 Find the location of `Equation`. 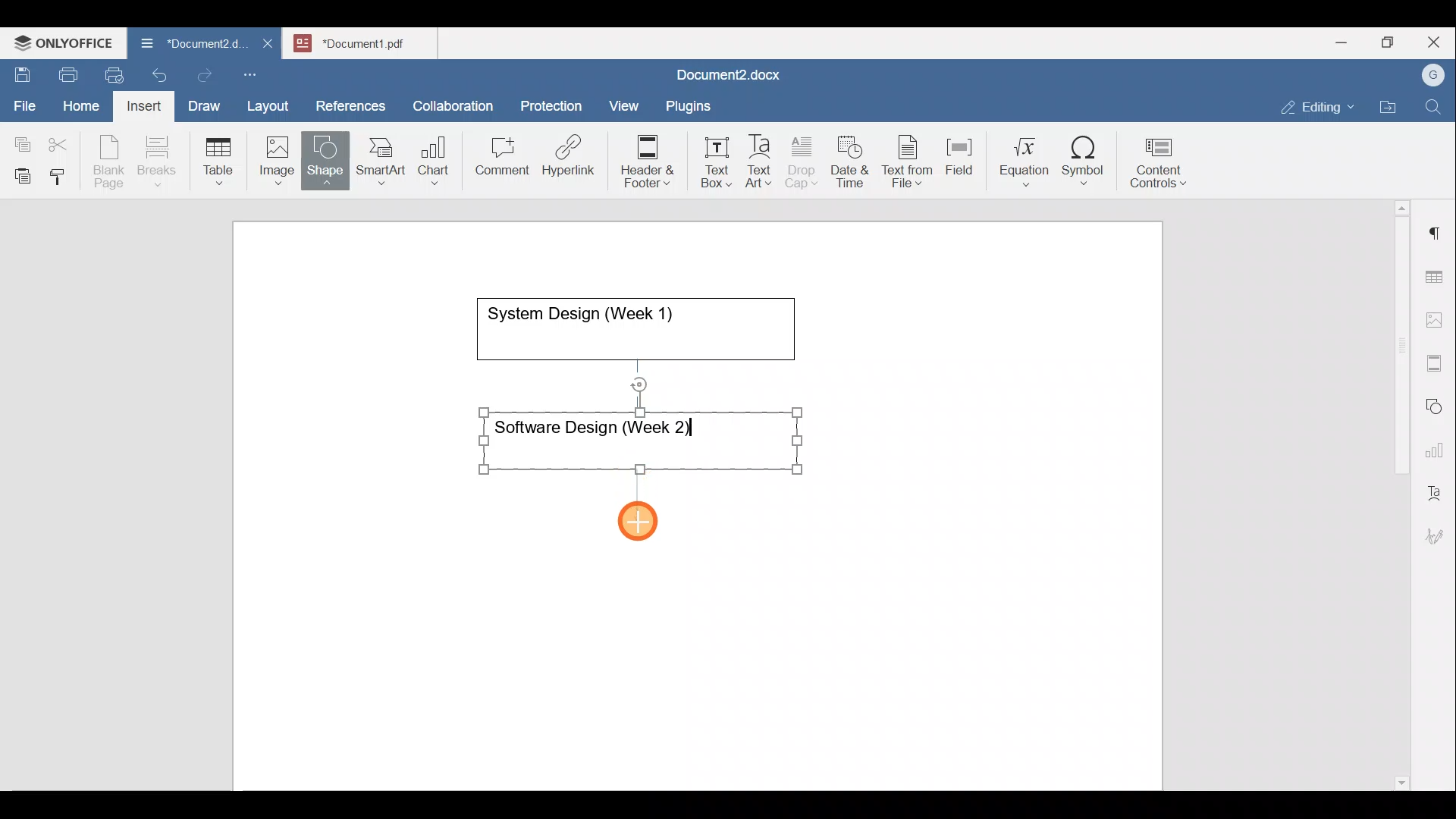

Equation is located at coordinates (1028, 161).